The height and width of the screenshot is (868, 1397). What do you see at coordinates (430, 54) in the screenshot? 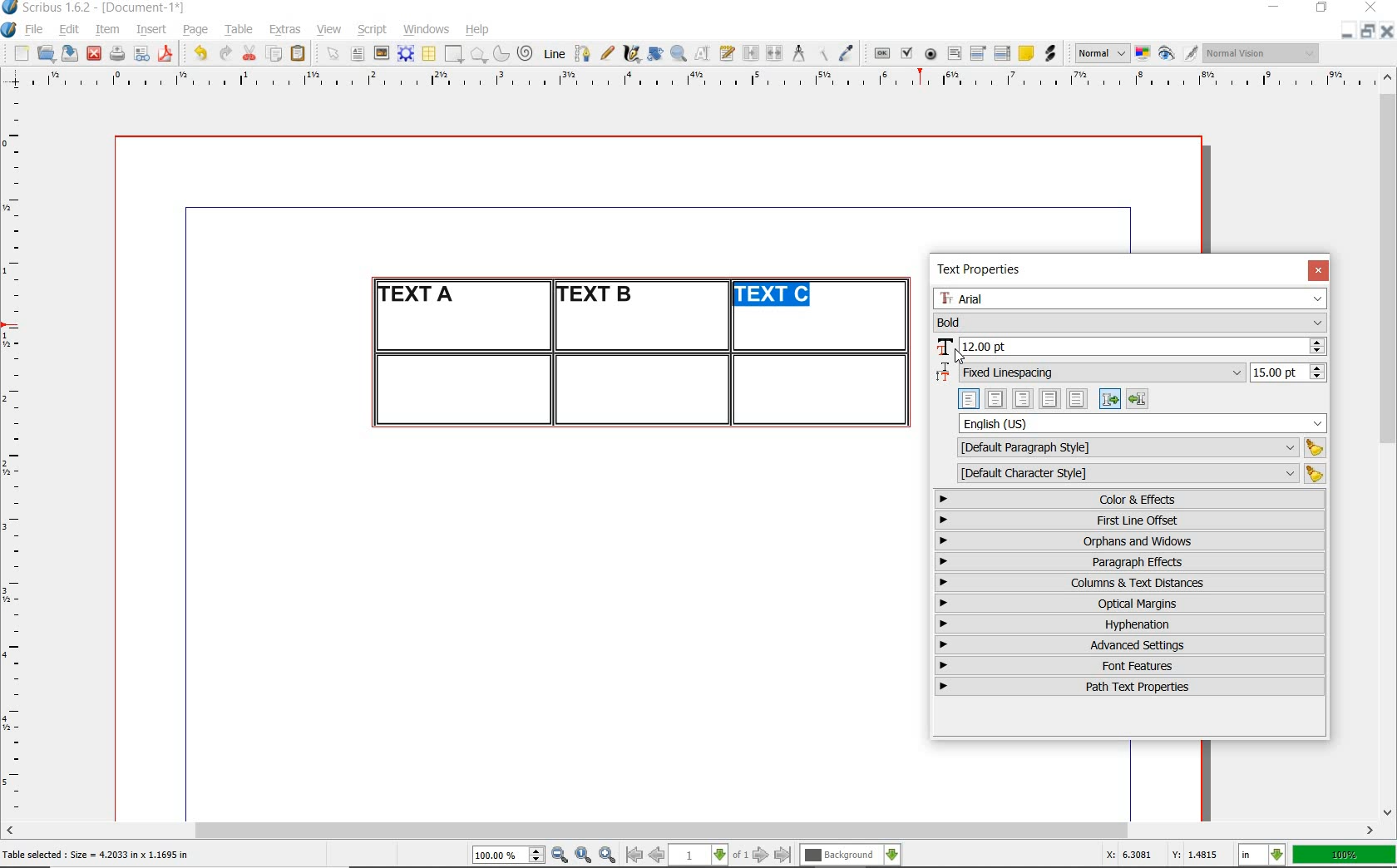
I see `table` at bounding box center [430, 54].